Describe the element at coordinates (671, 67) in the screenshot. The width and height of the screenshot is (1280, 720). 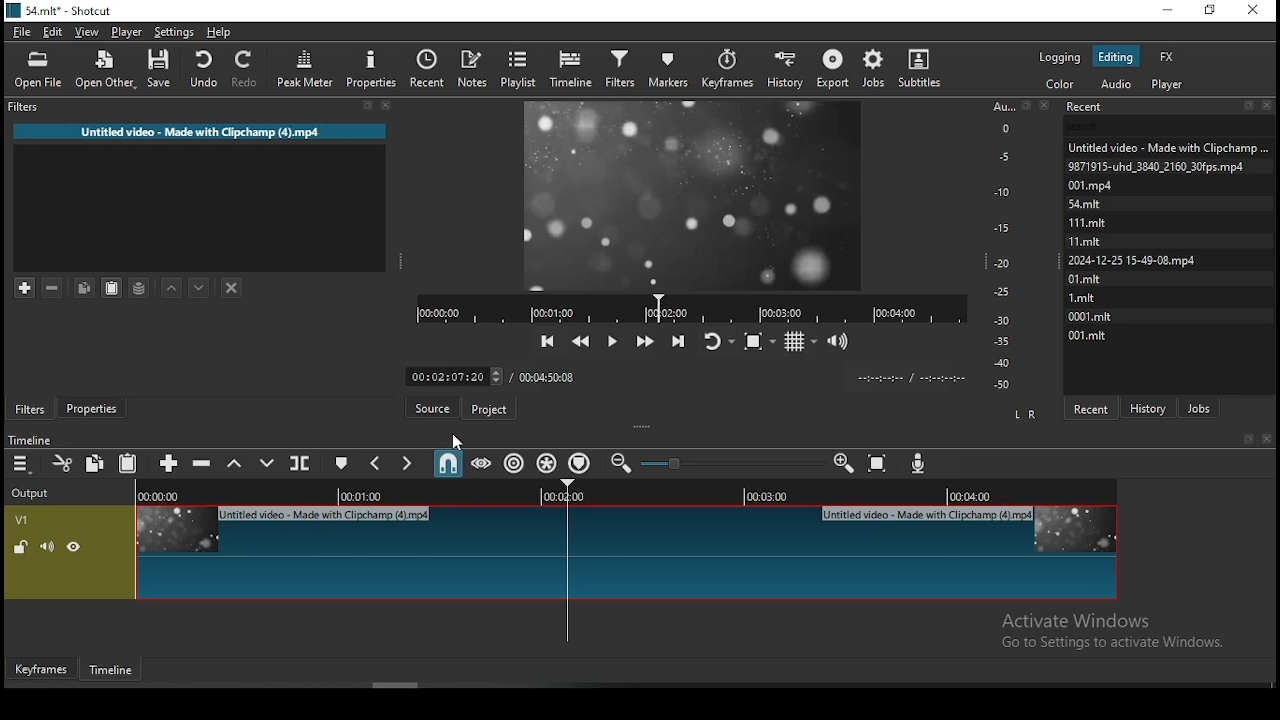
I see `markers` at that location.